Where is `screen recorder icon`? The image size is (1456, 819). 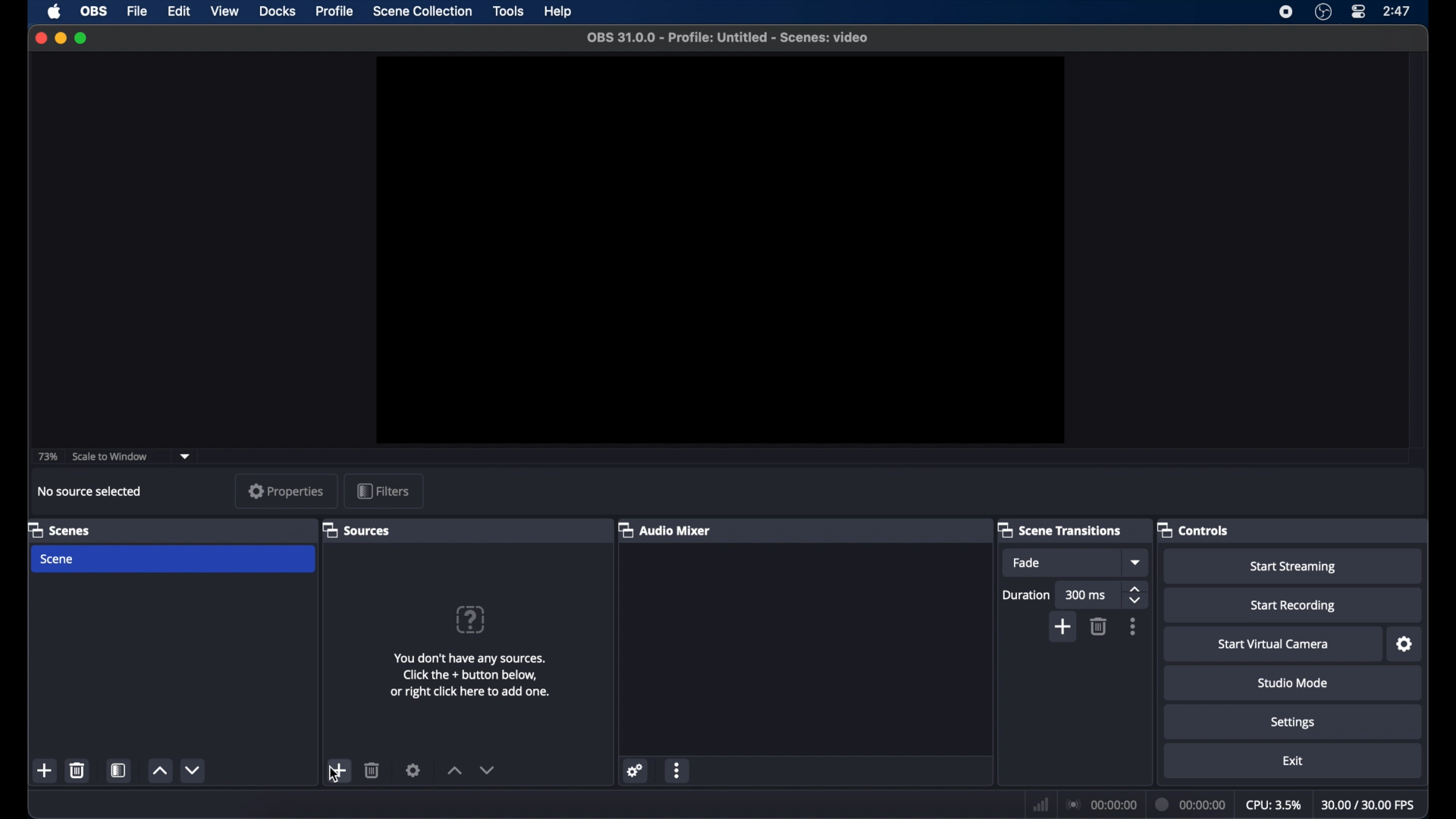 screen recorder icon is located at coordinates (1286, 12).